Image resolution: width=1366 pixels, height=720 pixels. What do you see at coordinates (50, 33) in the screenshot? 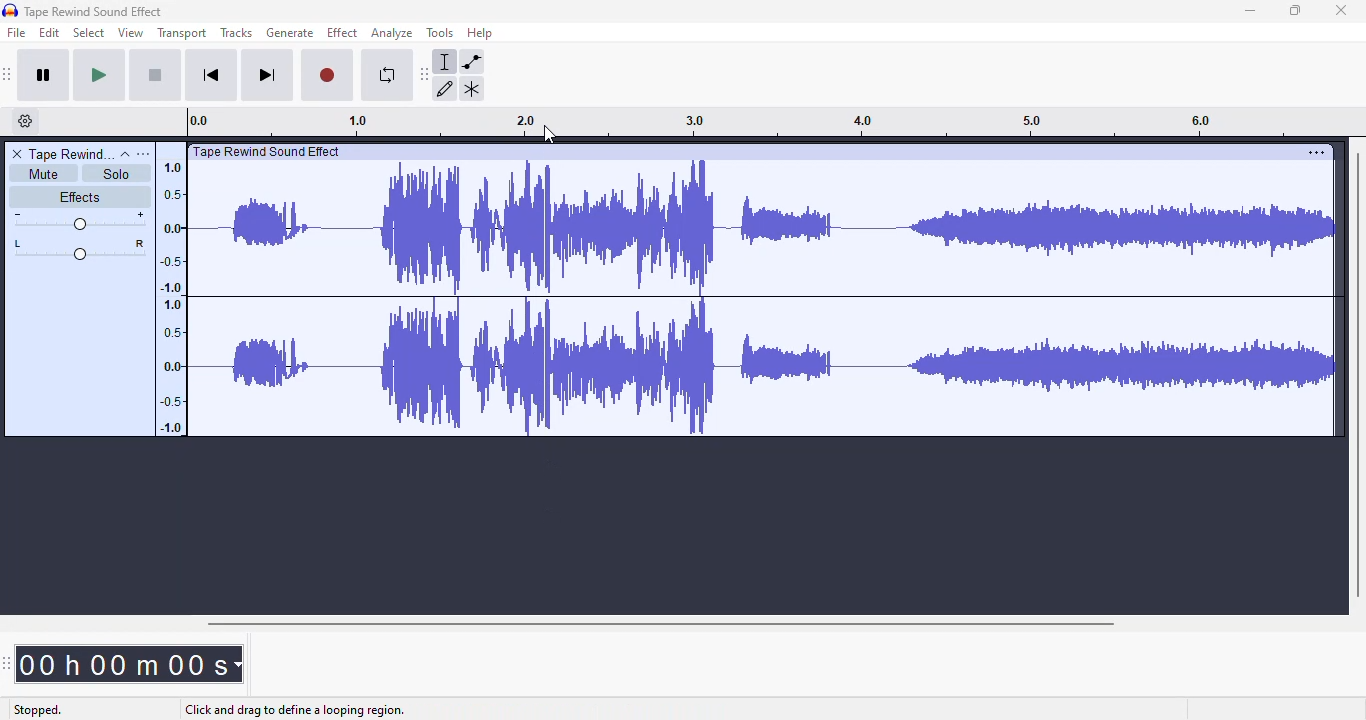
I see `edit` at bounding box center [50, 33].